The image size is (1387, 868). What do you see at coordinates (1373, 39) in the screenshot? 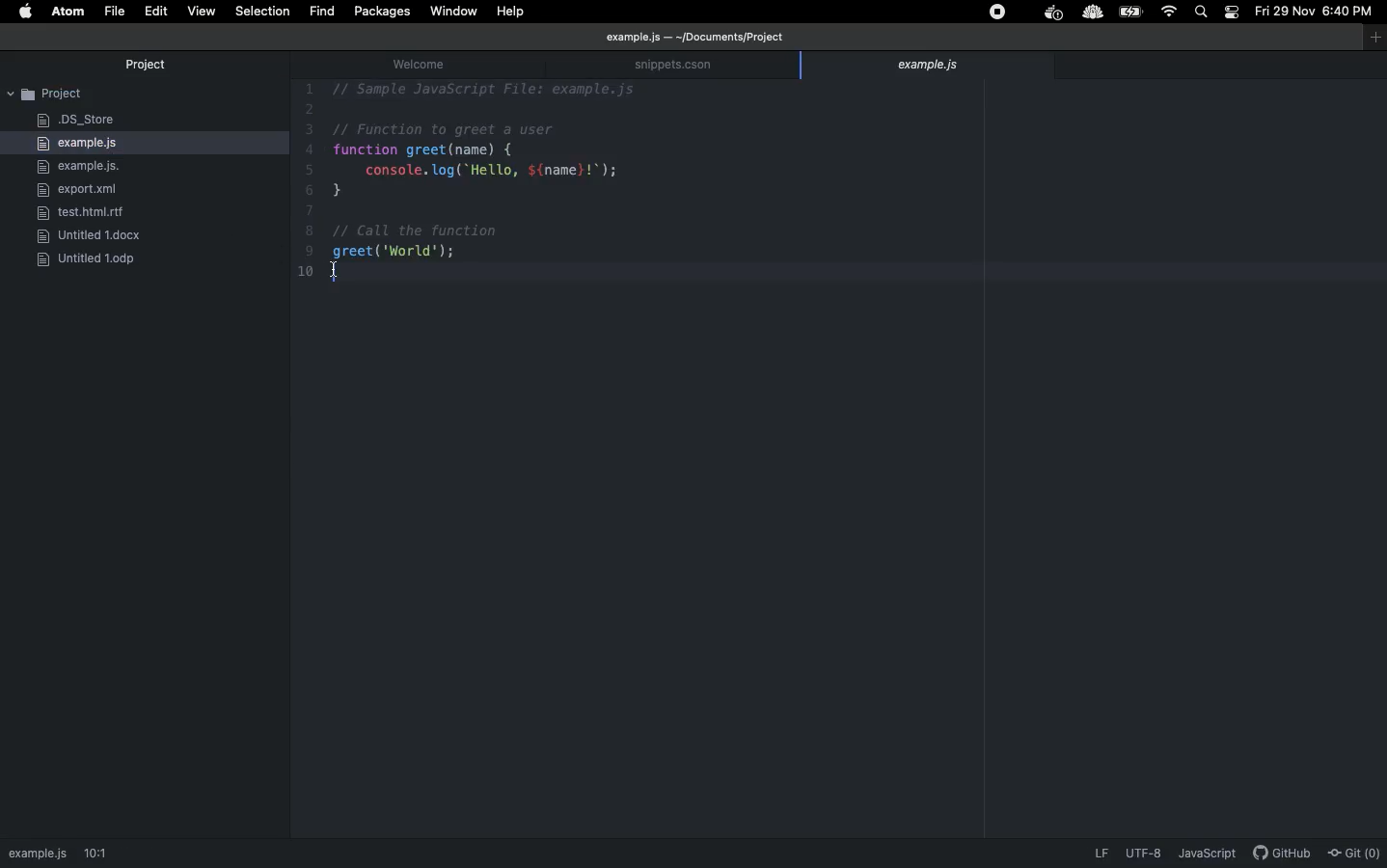
I see `window` at bounding box center [1373, 39].